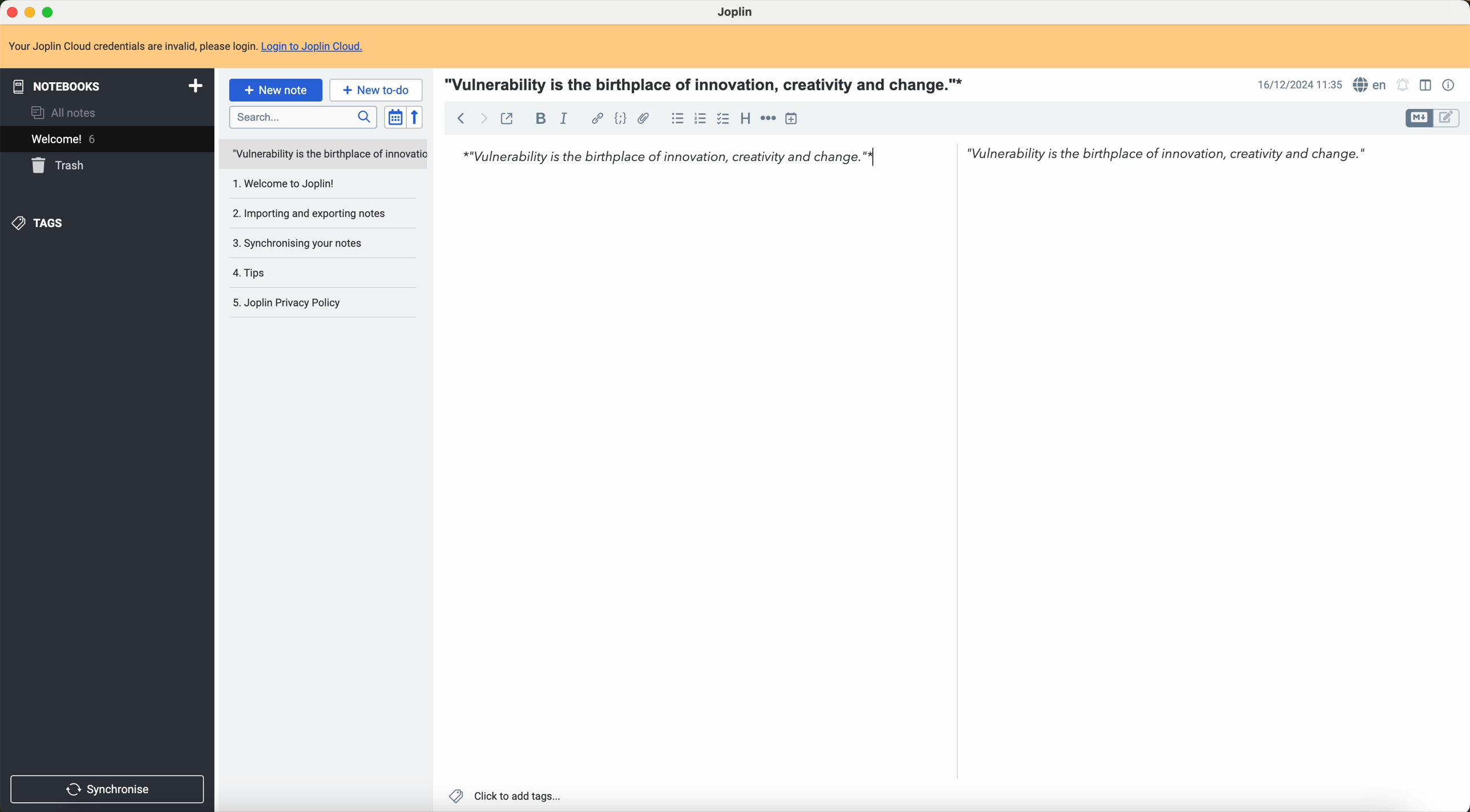 This screenshot has width=1470, height=812. What do you see at coordinates (322, 155) in the screenshot?
I see `untitled` at bounding box center [322, 155].